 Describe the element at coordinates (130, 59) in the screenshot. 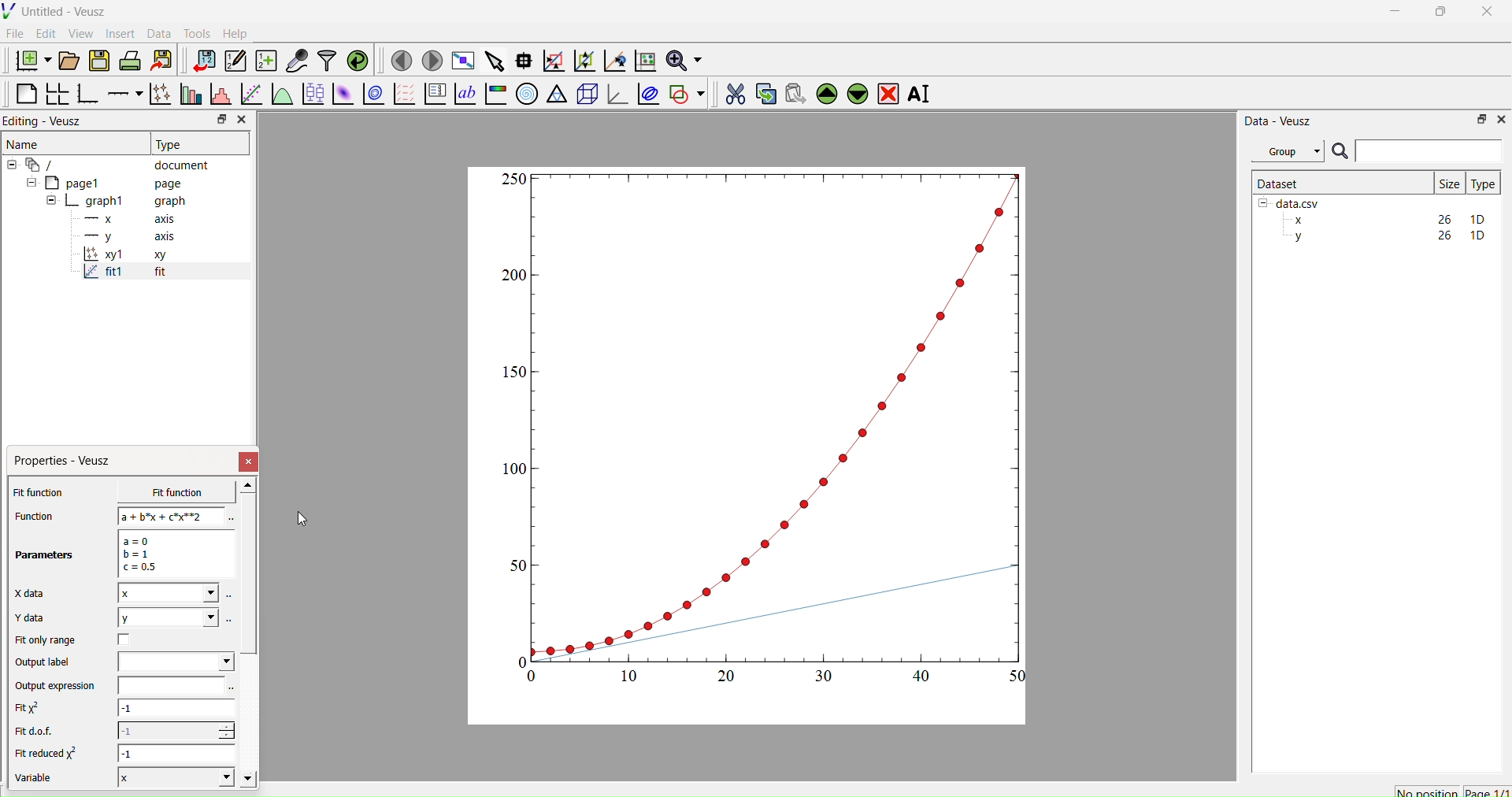

I see `Print the document` at that location.